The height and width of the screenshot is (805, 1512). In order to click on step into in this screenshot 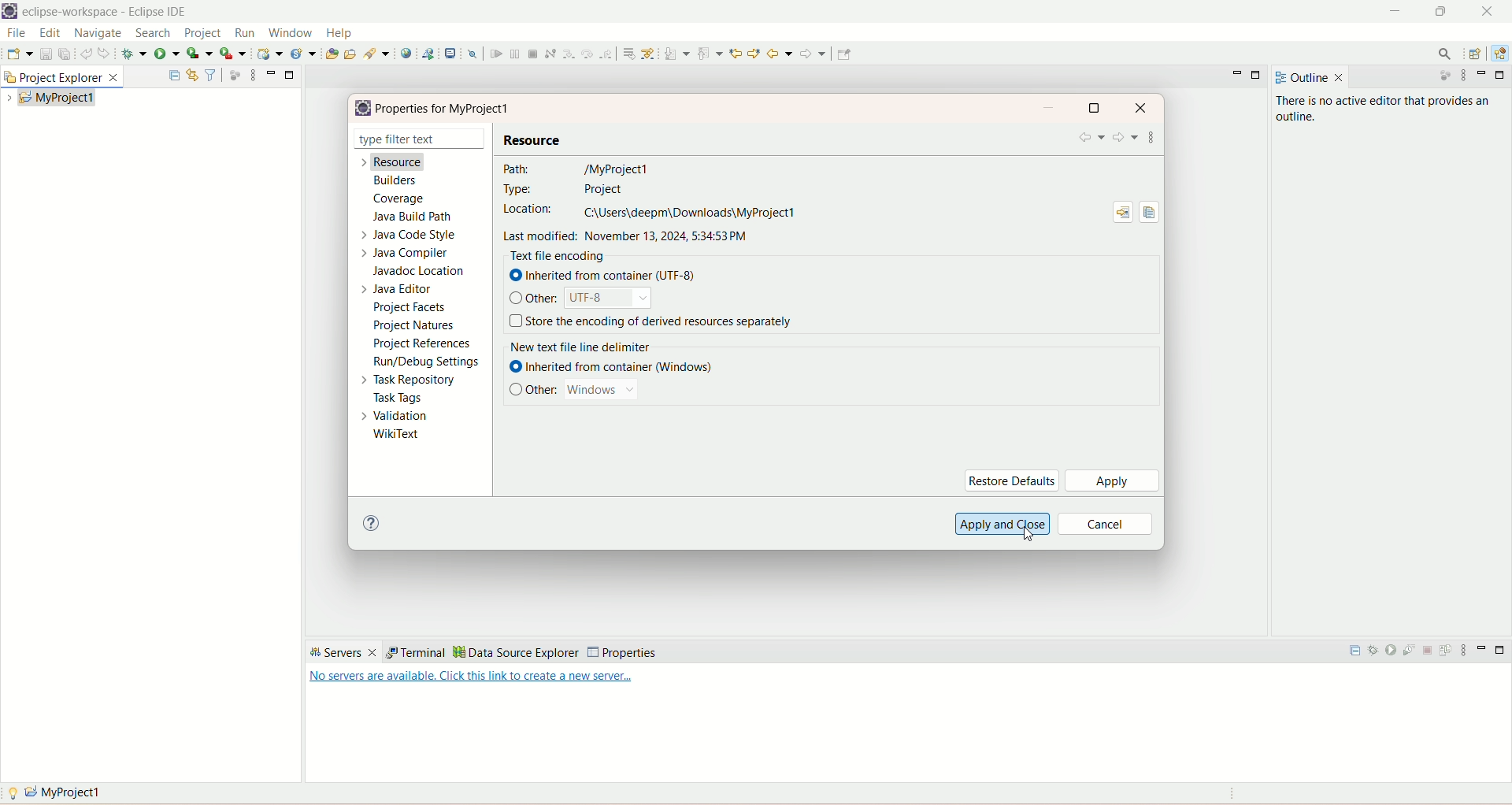, I will do `click(569, 55)`.